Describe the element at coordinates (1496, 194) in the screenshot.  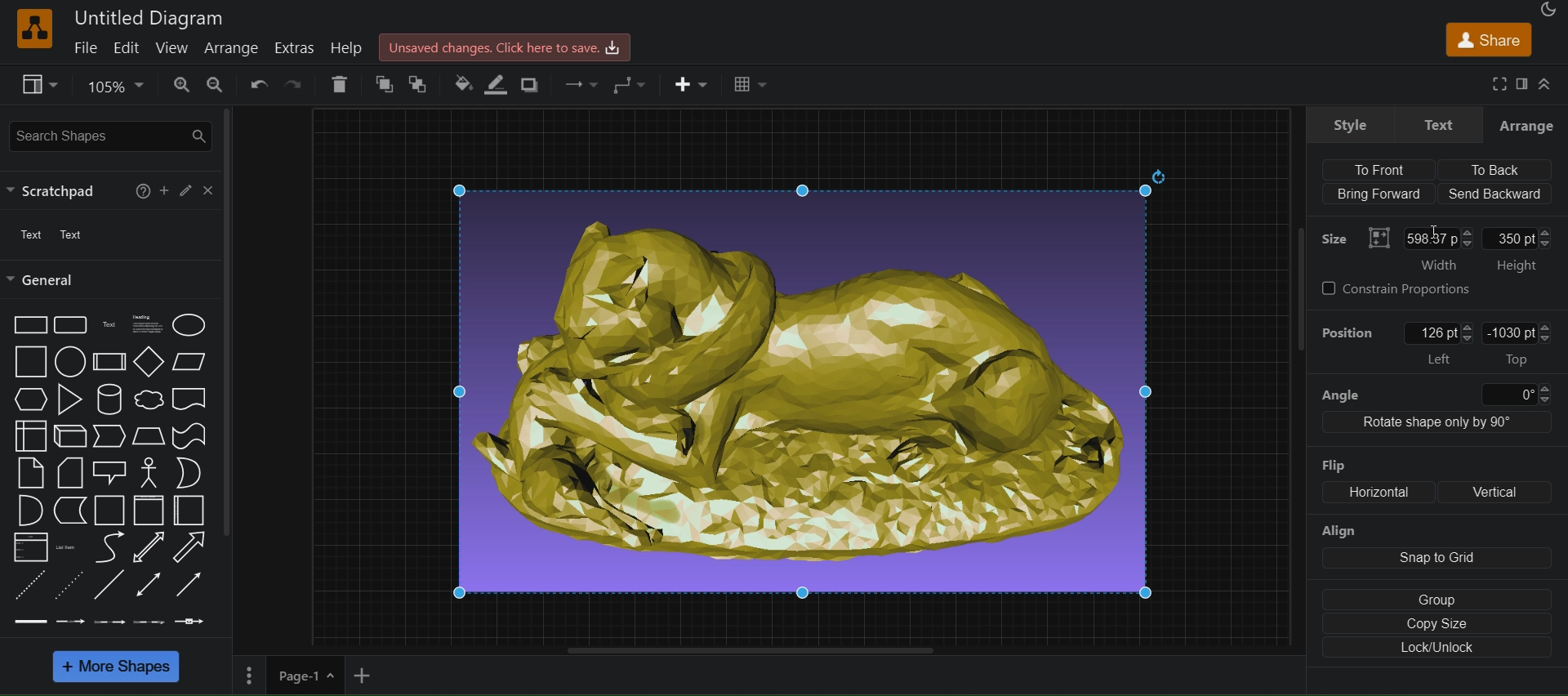
I see `Send backward (align)` at that location.